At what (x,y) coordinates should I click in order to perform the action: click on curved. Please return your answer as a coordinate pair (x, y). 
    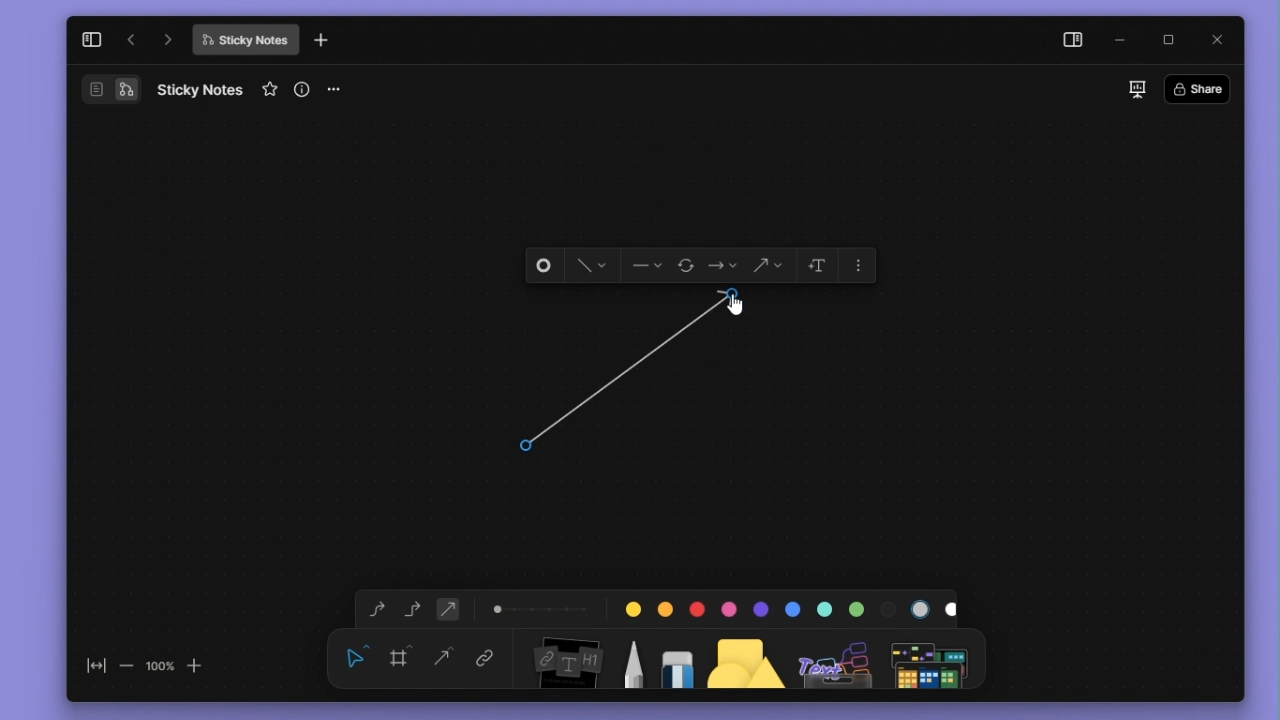
    Looking at the image, I should click on (373, 610).